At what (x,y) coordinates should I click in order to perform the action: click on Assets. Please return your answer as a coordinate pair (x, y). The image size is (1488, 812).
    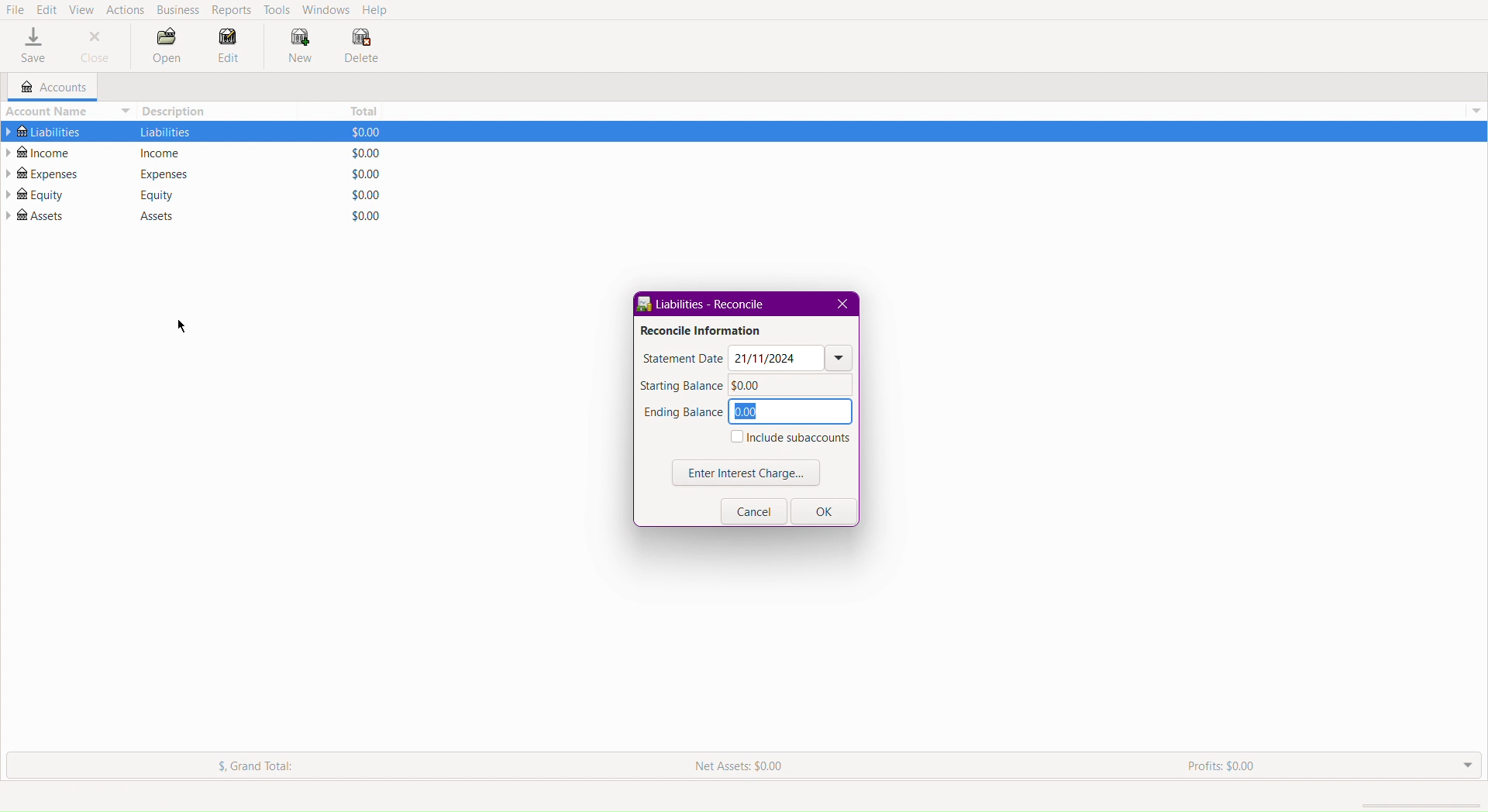
    Looking at the image, I should click on (37, 216).